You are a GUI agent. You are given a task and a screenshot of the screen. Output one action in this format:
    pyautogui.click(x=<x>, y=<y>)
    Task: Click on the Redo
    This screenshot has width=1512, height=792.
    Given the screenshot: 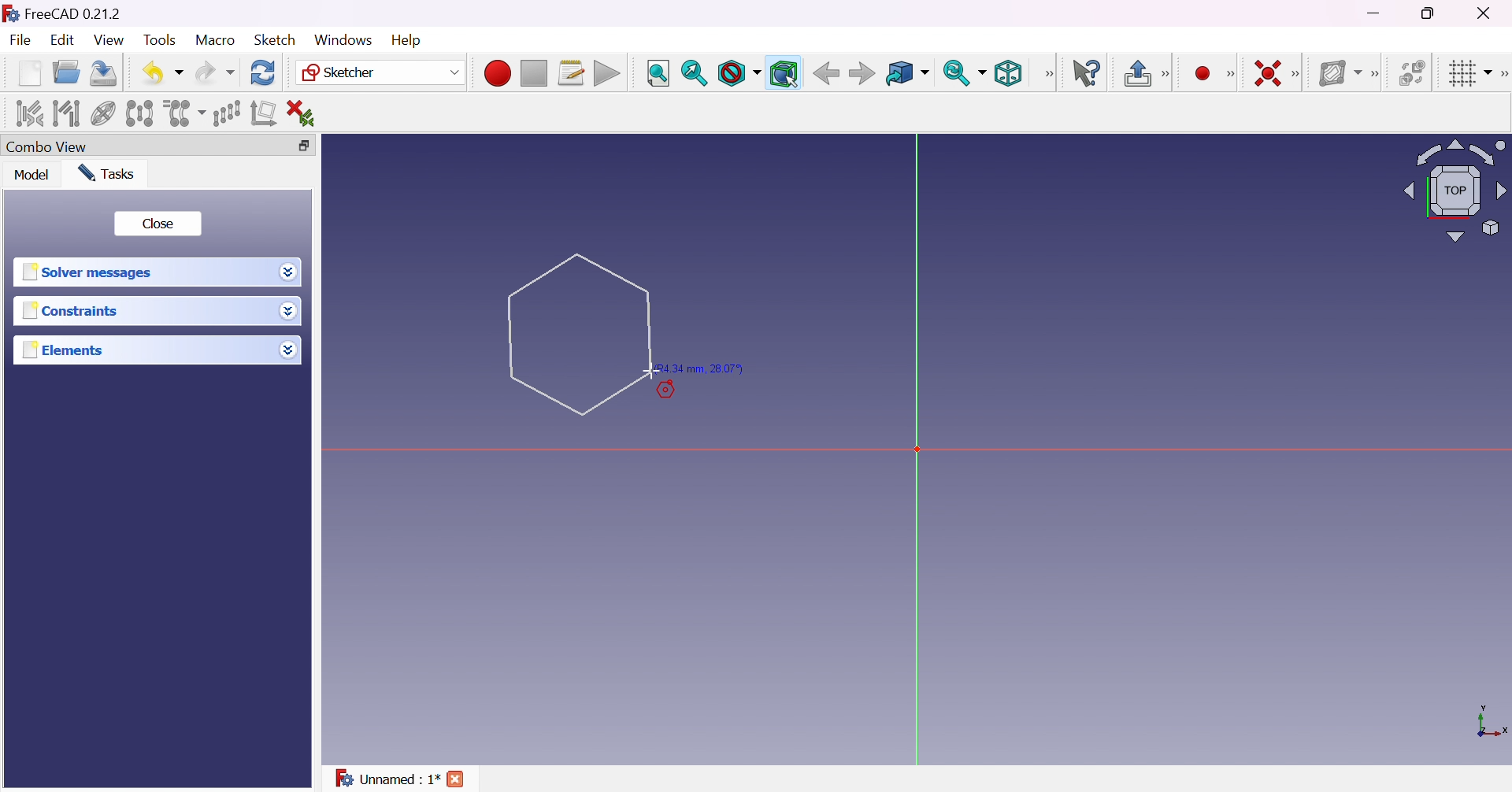 What is the action you would take?
    pyautogui.click(x=215, y=72)
    